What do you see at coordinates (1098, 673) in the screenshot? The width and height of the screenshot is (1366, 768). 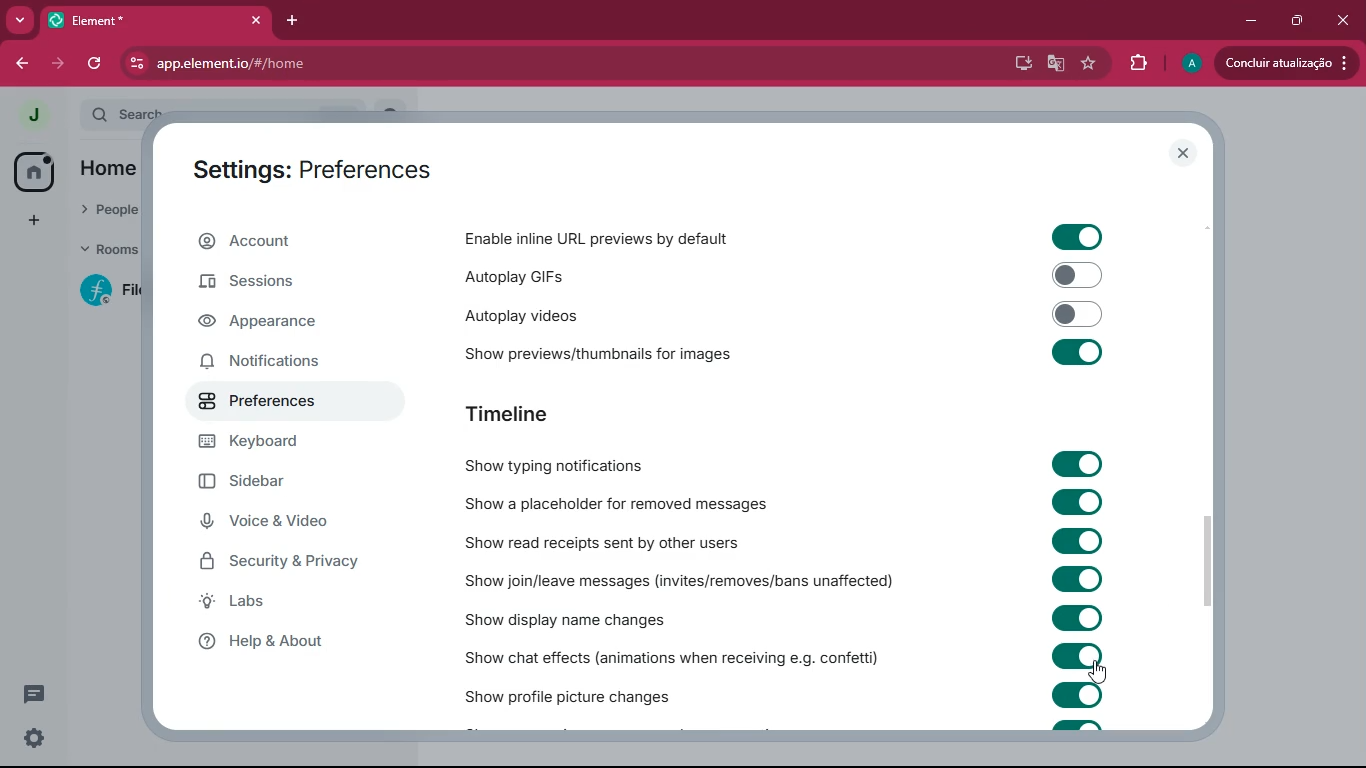 I see `cursor` at bounding box center [1098, 673].